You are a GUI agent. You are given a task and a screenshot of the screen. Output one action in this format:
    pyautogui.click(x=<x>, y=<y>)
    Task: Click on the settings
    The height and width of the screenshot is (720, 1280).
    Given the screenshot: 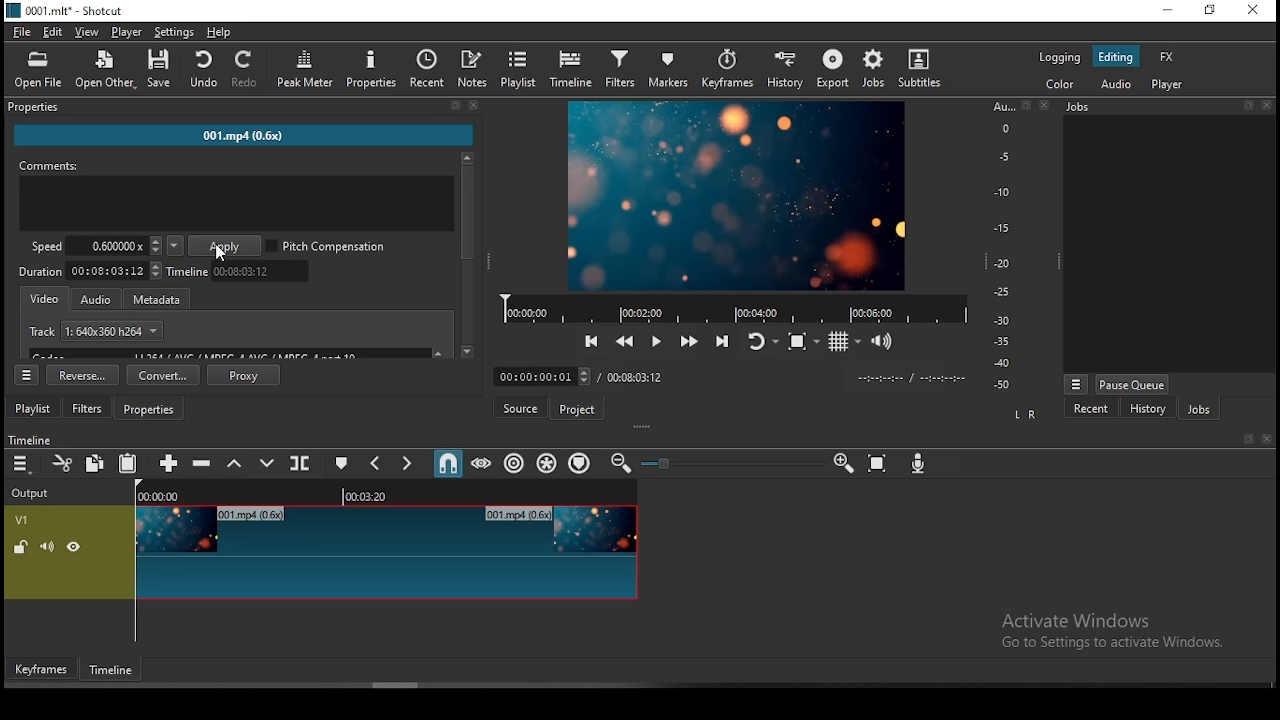 What is the action you would take?
    pyautogui.click(x=175, y=31)
    